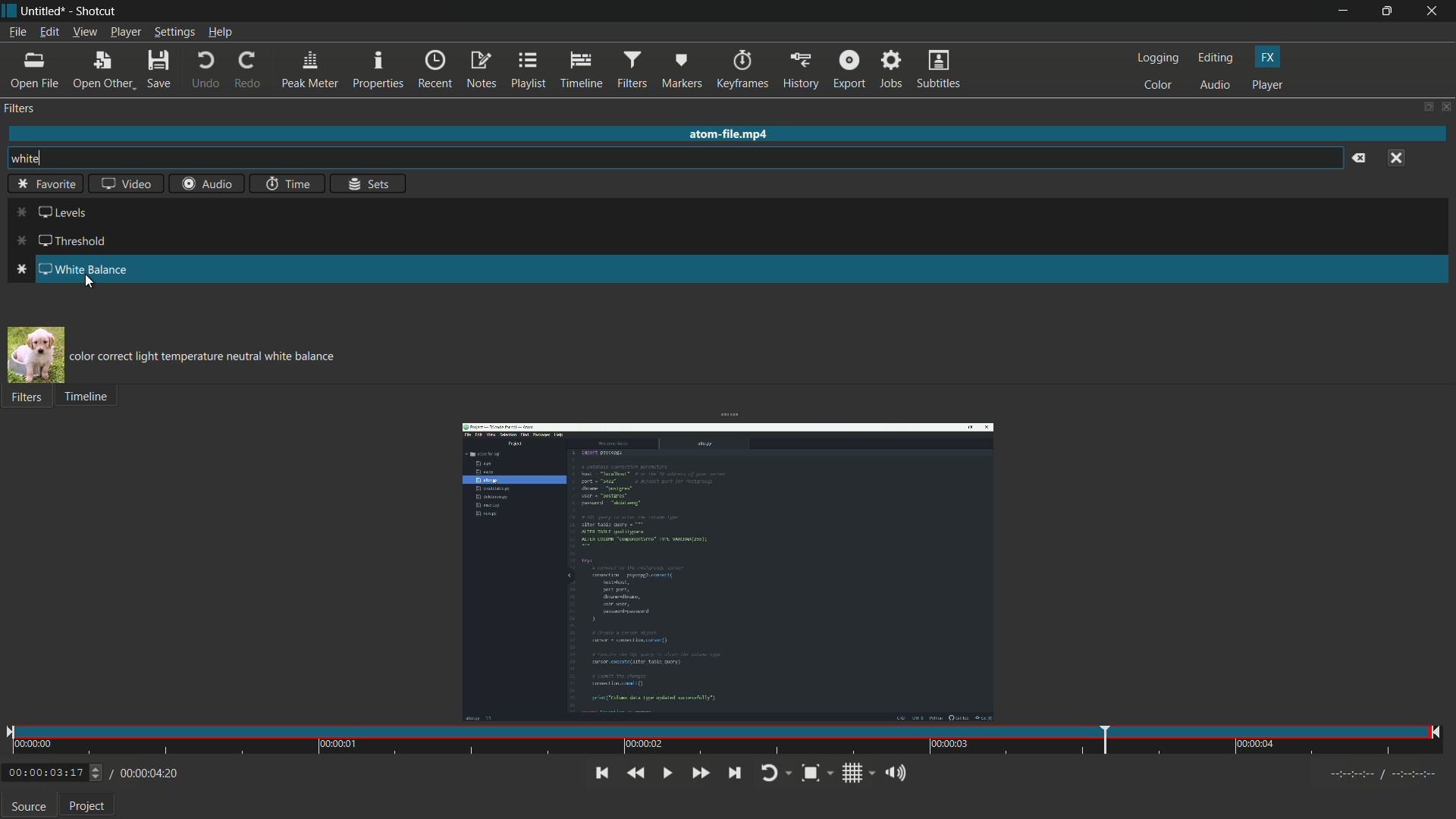 The width and height of the screenshot is (1456, 819). What do you see at coordinates (1357, 158) in the screenshot?
I see `clear search` at bounding box center [1357, 158].